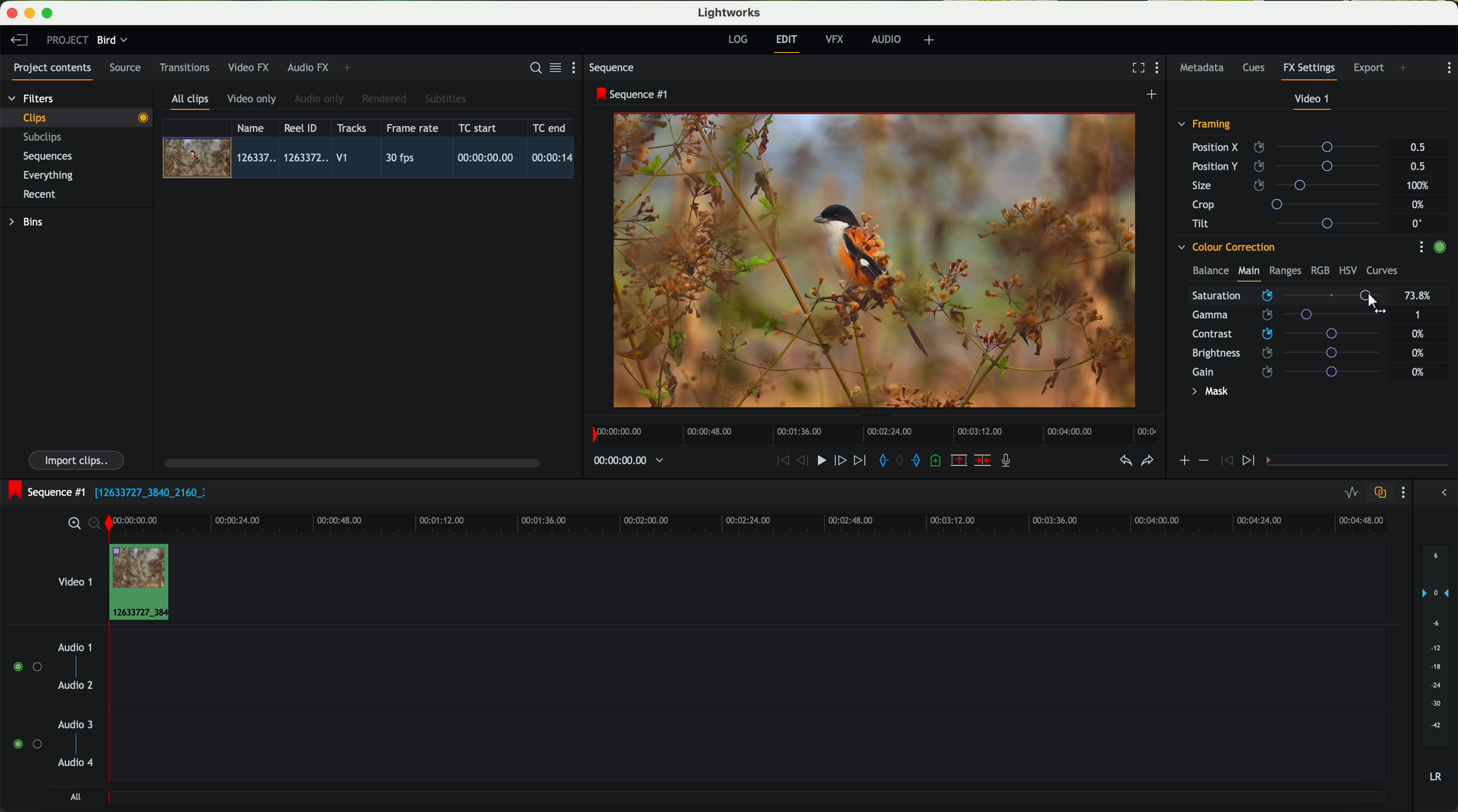  Describe the element at coordinates (1417, 166) in the screenshot. I see `0.5` at that location.